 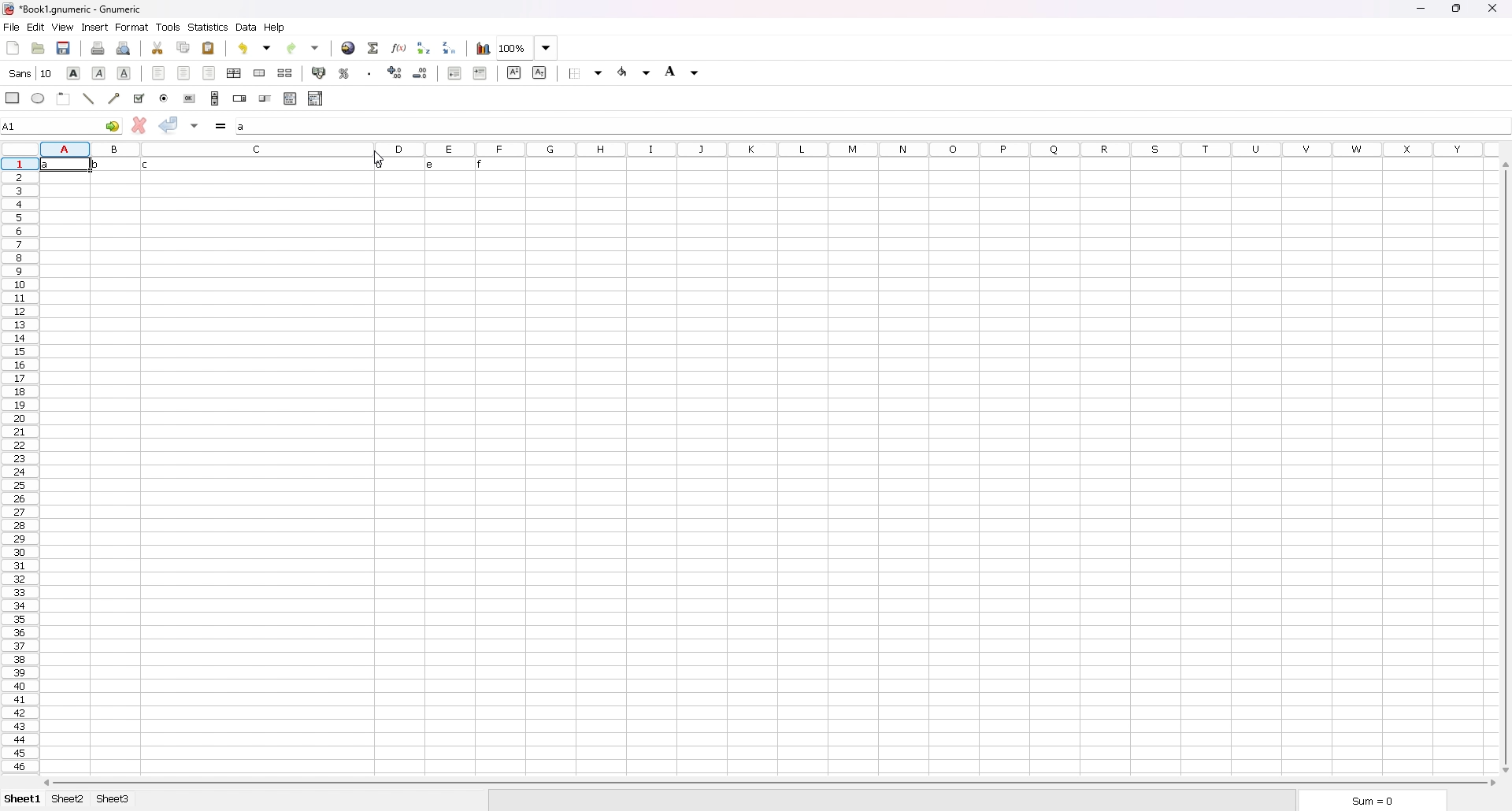 What do you see at coordinates (374, 47) in the screenshot?
I see `summation` at bounding box center [374, 47].